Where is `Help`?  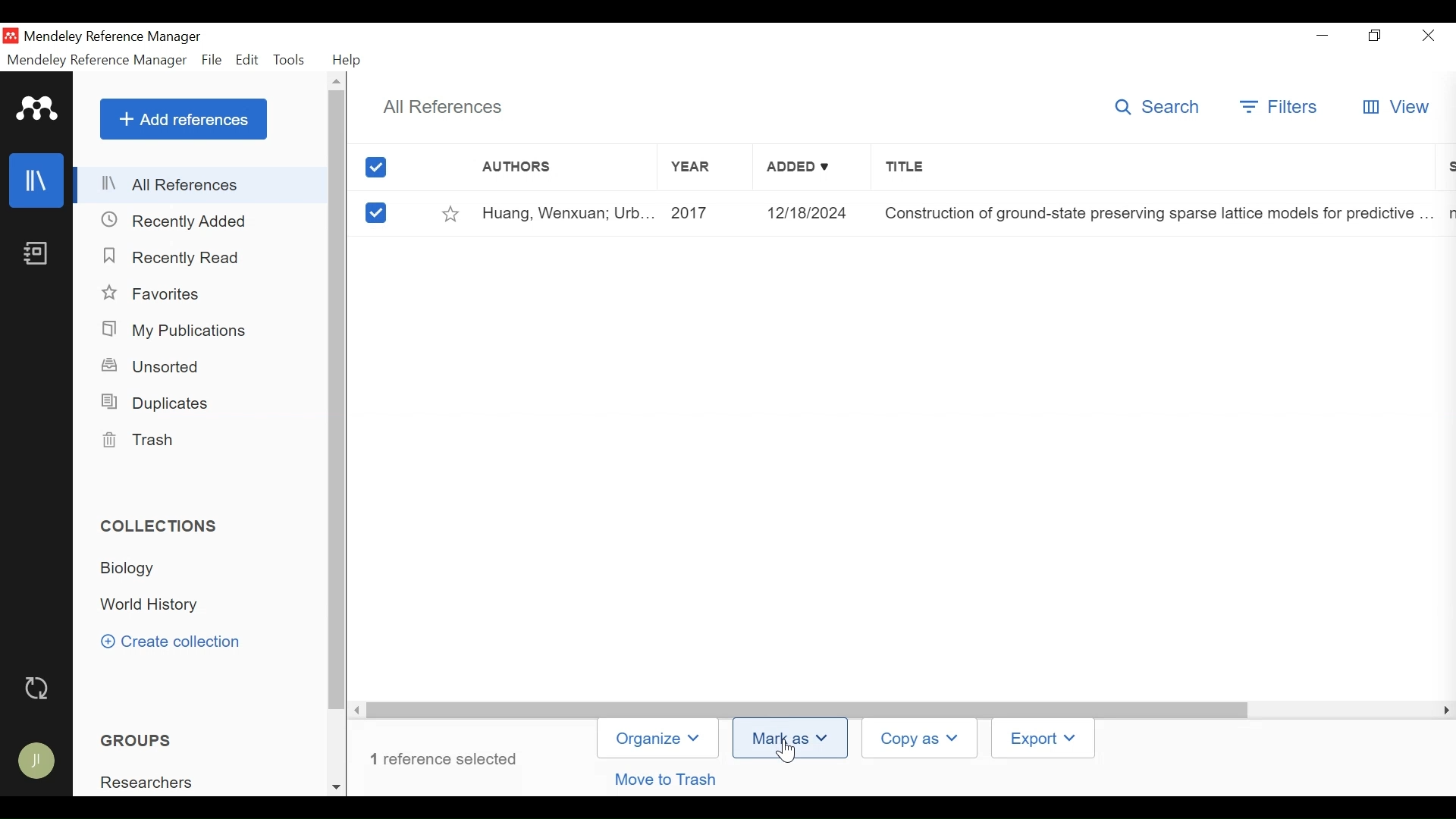
Help is located at coordinates (347, 60).